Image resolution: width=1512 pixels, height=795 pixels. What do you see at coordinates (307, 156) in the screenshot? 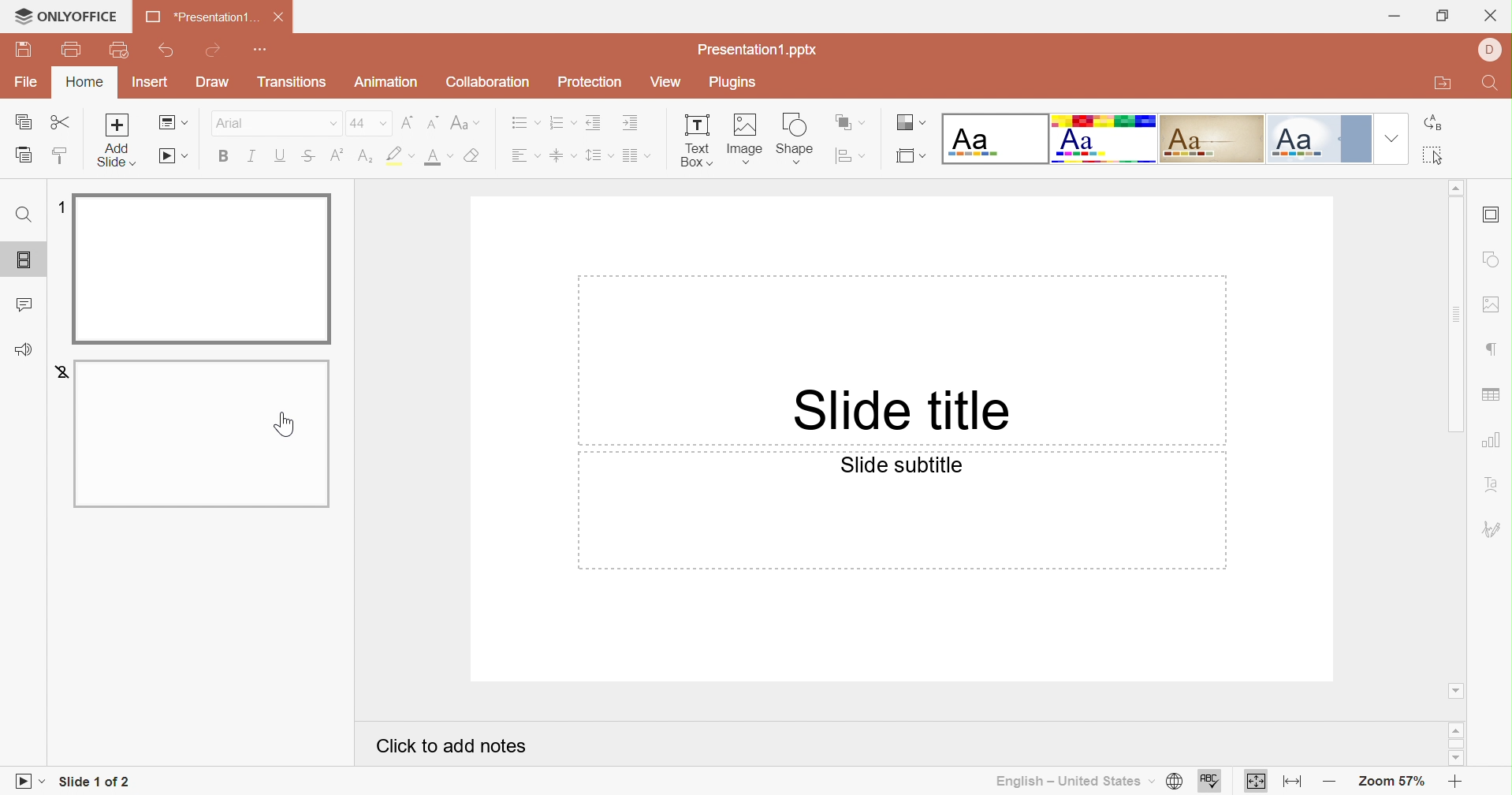
I see `Strikethrough` at bounding box center [307, 156].